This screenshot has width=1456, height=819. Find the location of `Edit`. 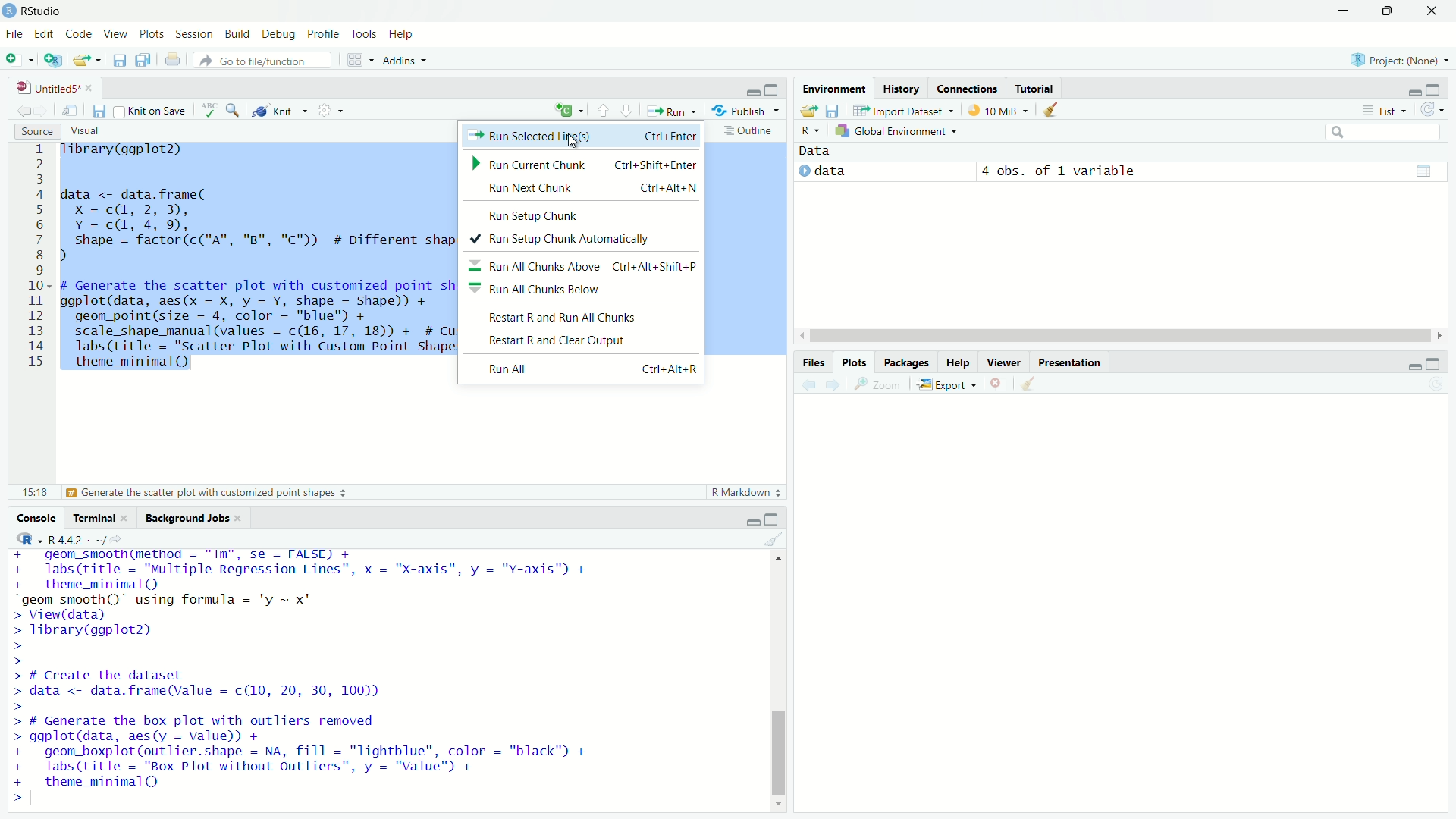

Edit is located at coordinates (43, 33).